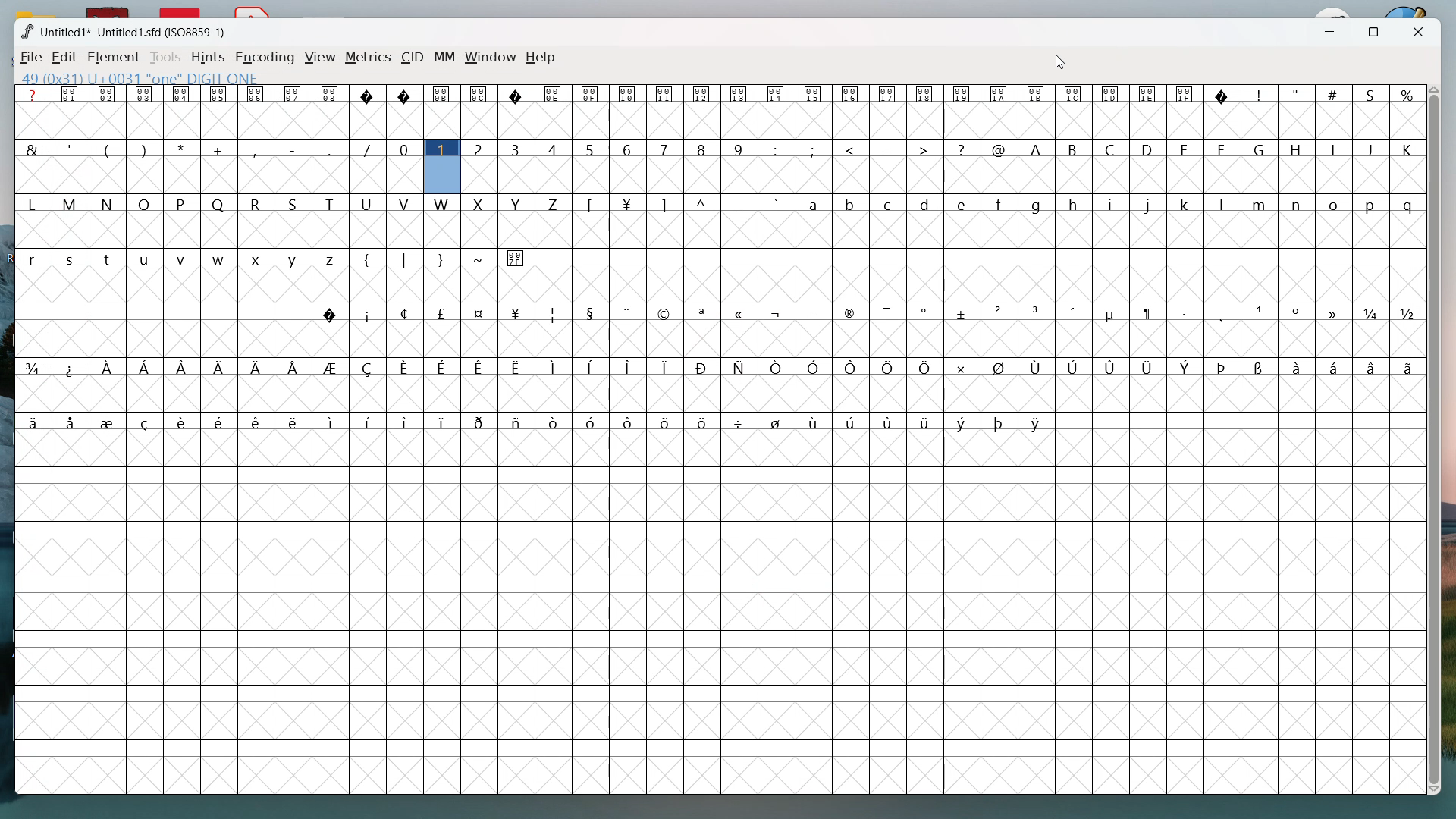  Describe the element at coordinates (1074, 312) in the screenshot. I see `symbol` at that location.